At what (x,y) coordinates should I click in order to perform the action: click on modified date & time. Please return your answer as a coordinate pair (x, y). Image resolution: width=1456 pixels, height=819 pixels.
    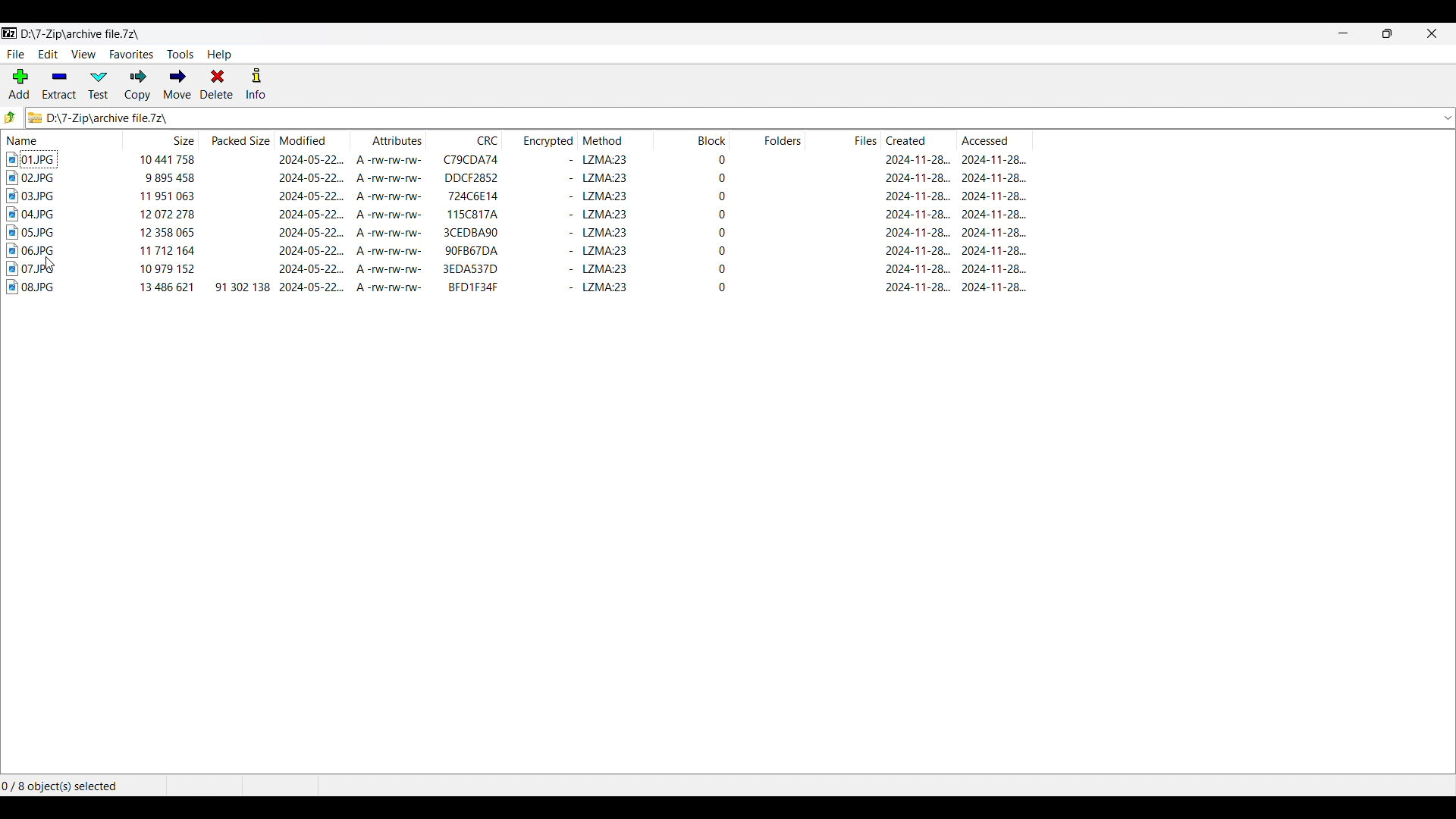
    Looking at the image, I should click on (312, 196).